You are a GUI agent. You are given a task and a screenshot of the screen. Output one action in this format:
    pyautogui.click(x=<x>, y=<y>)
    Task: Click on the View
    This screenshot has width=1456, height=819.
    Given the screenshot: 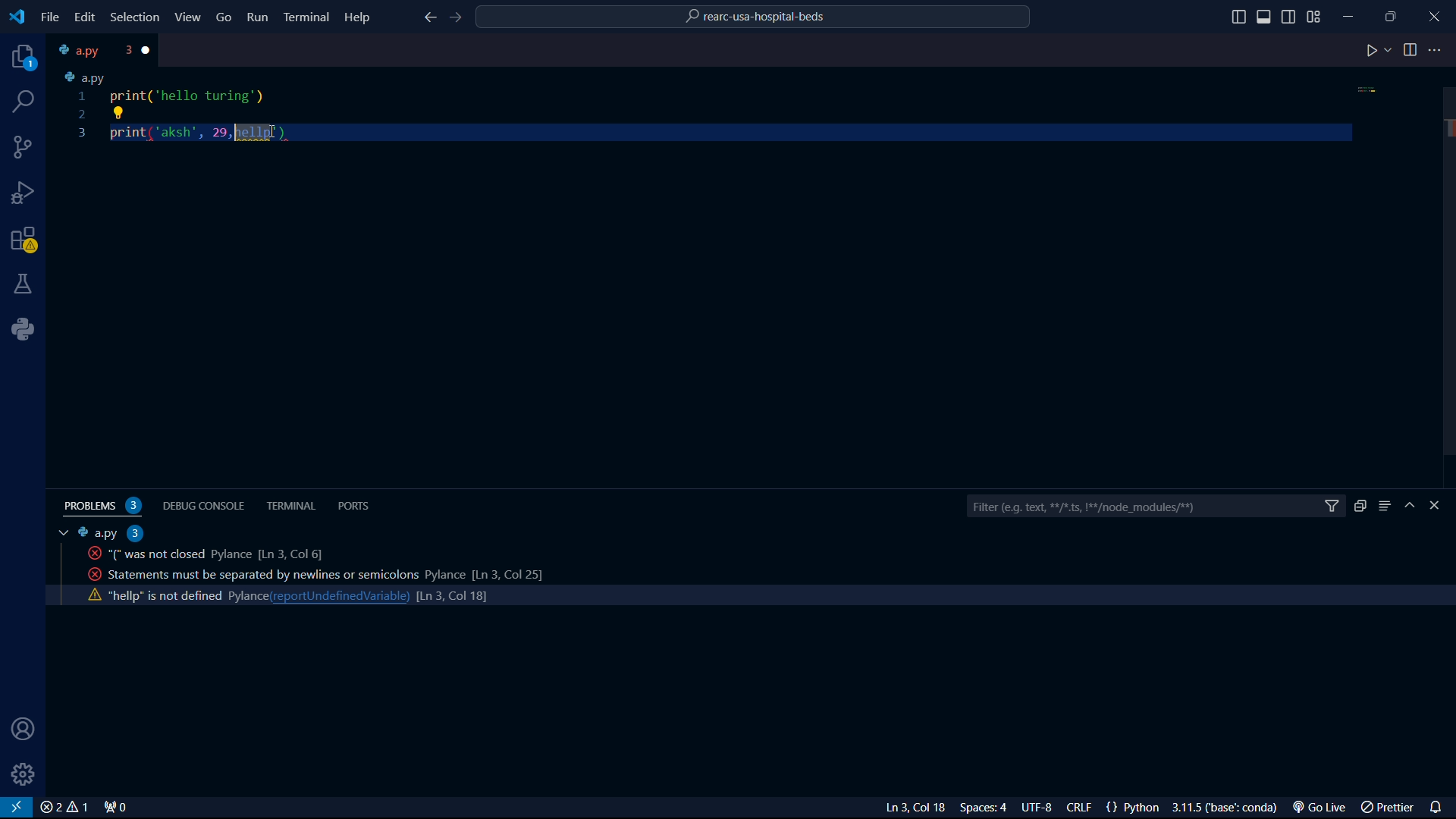 What is the action you would take?
    pyautogui.click(x=189, y=17)
    